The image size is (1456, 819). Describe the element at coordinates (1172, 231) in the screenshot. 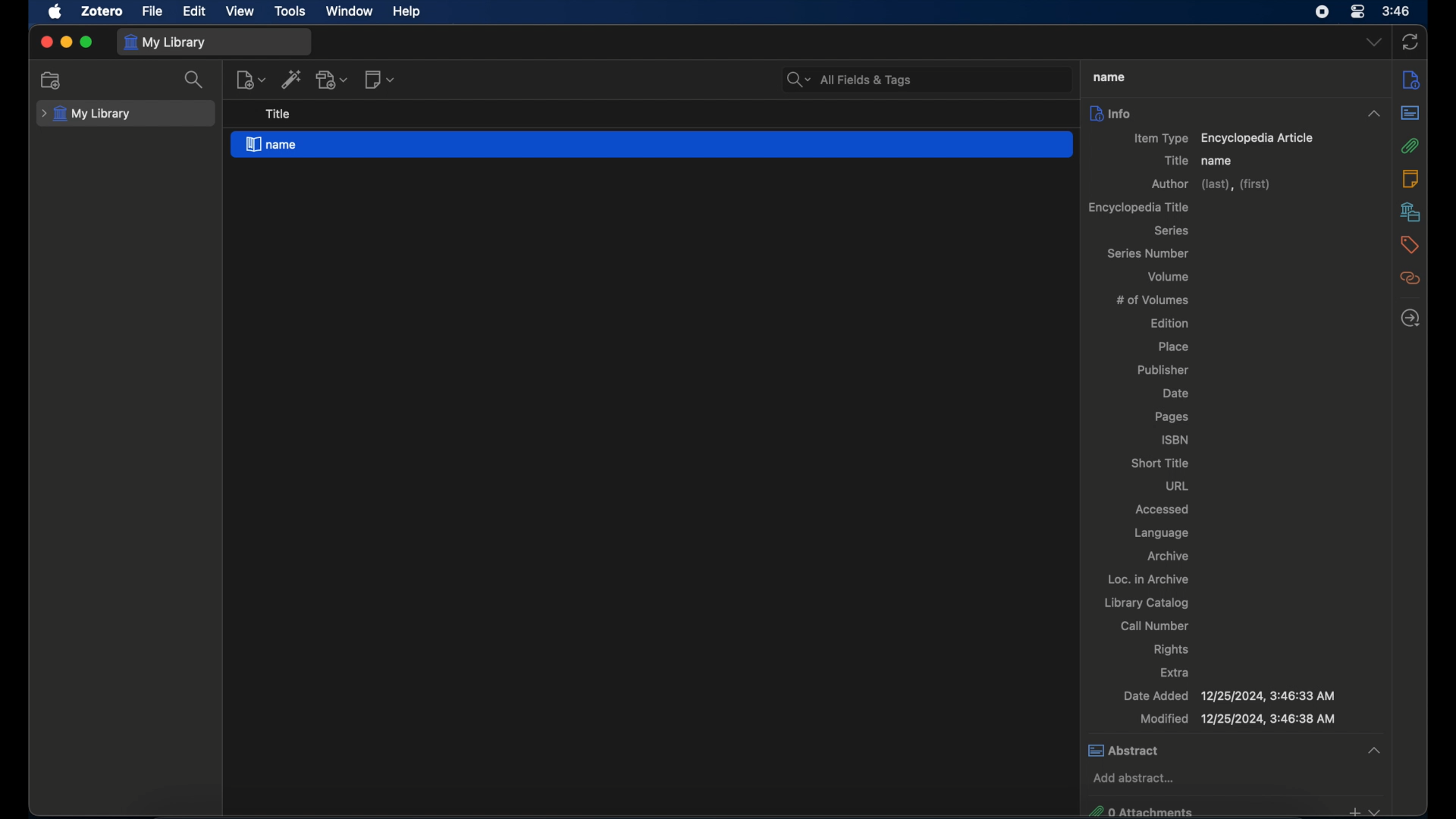

I see `series` at that location.